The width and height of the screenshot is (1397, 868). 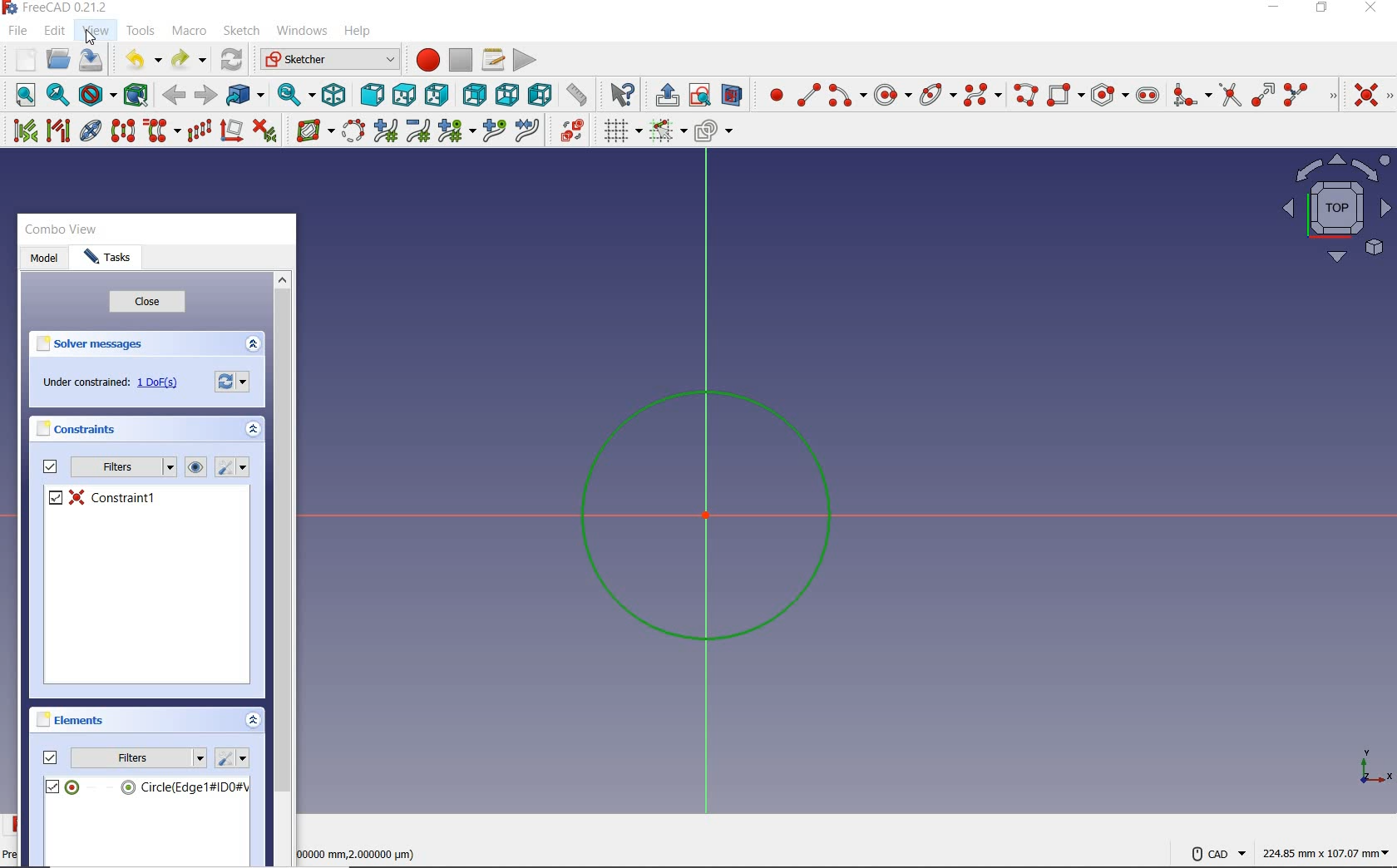 I want to click on decrease B-Spline degree, so click(x=417, y=131).